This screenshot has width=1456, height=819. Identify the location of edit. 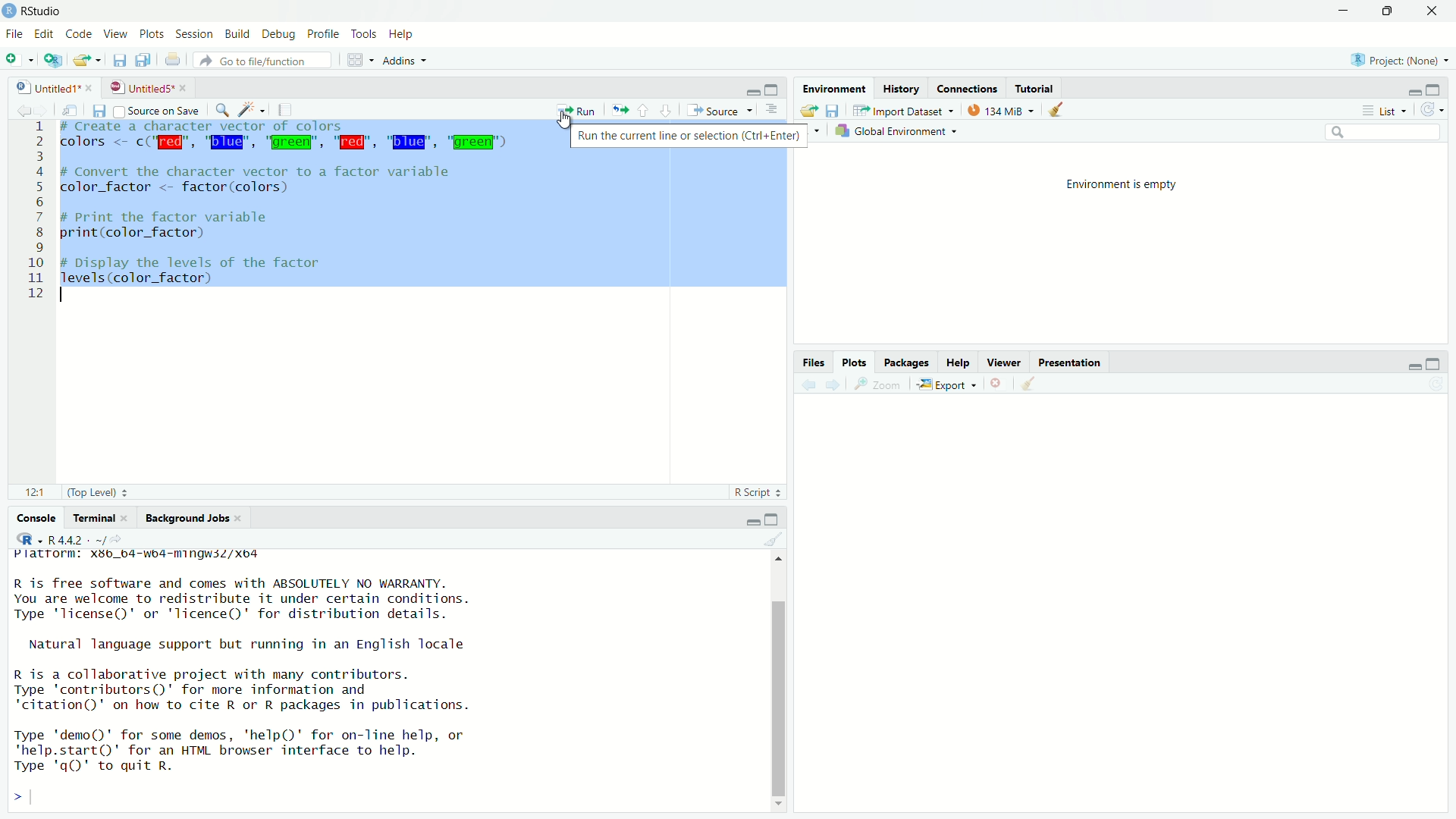
(44, 34).